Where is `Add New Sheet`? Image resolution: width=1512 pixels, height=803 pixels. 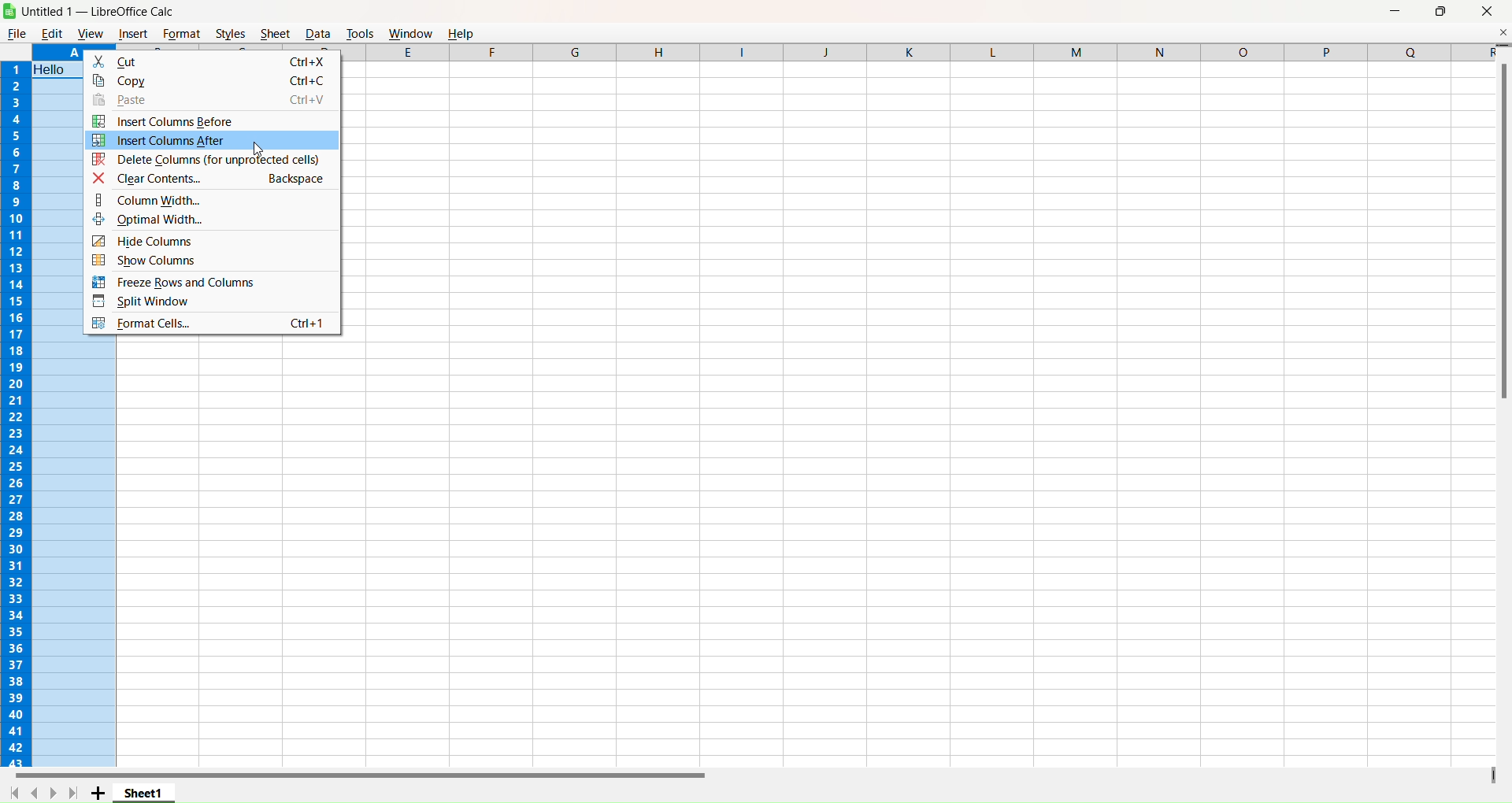
Add New Sheet is located at coordinates (98, 794).